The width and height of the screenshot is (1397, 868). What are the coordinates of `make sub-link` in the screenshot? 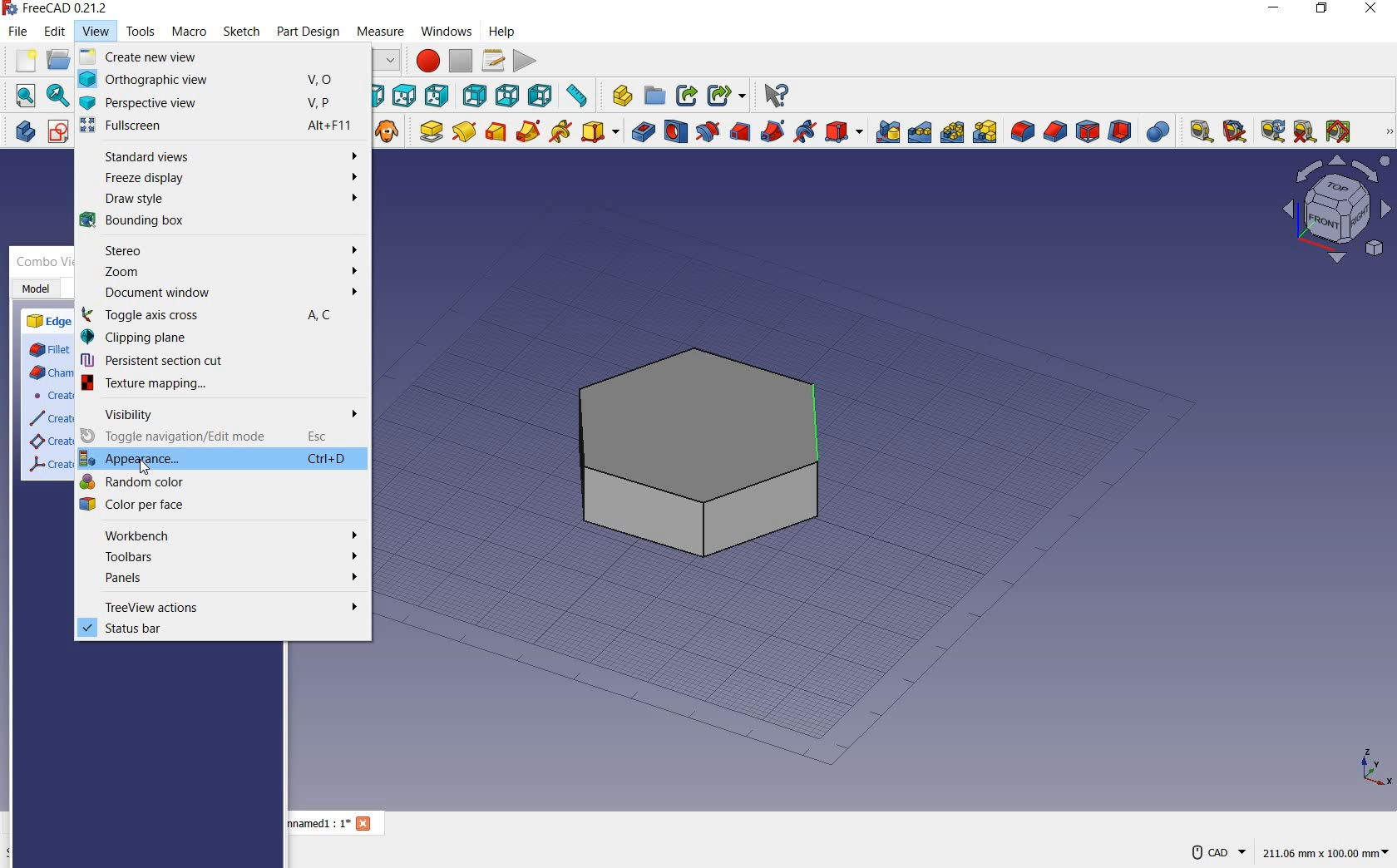 It's located at (724, 96).